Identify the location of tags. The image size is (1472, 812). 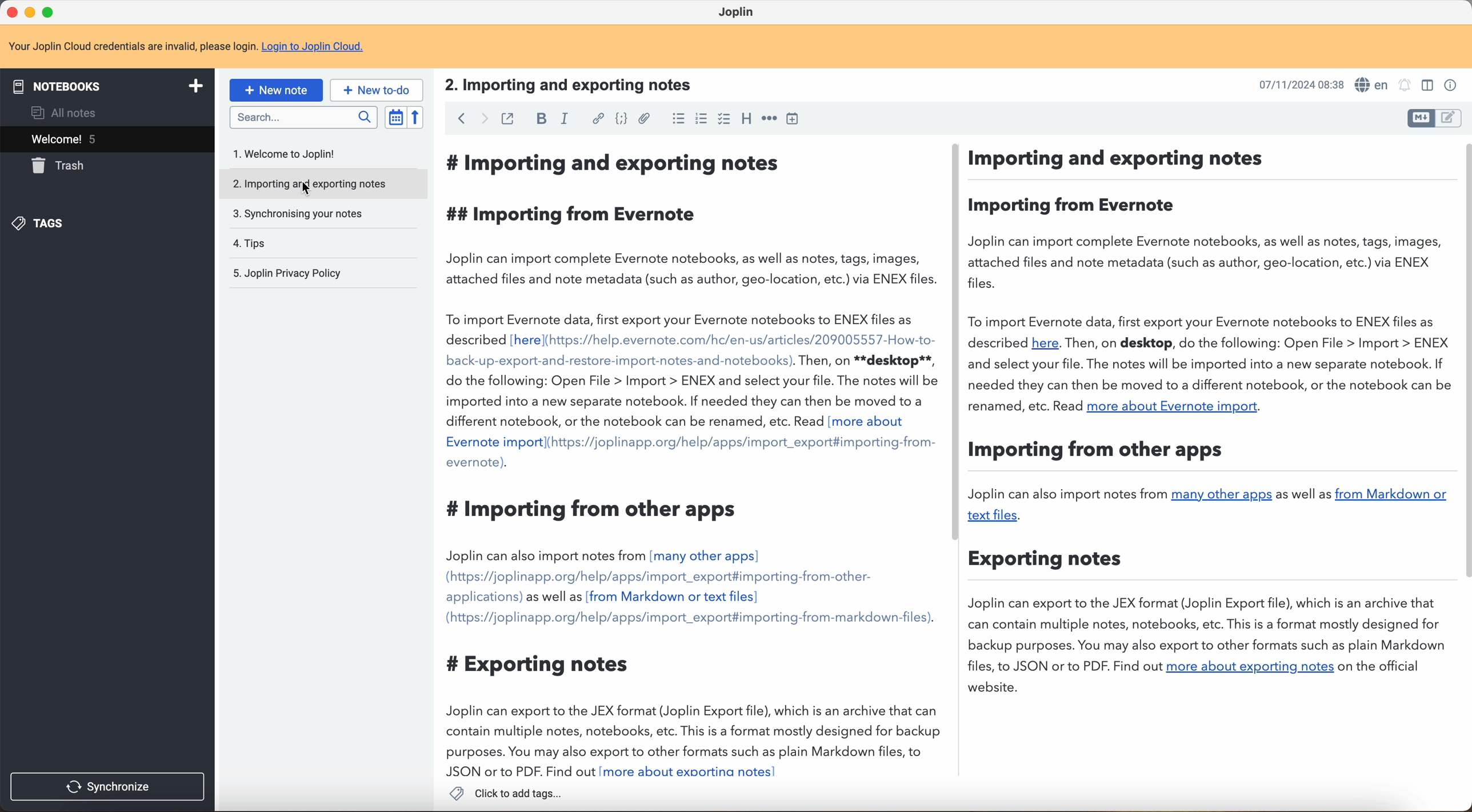
(42, 224).